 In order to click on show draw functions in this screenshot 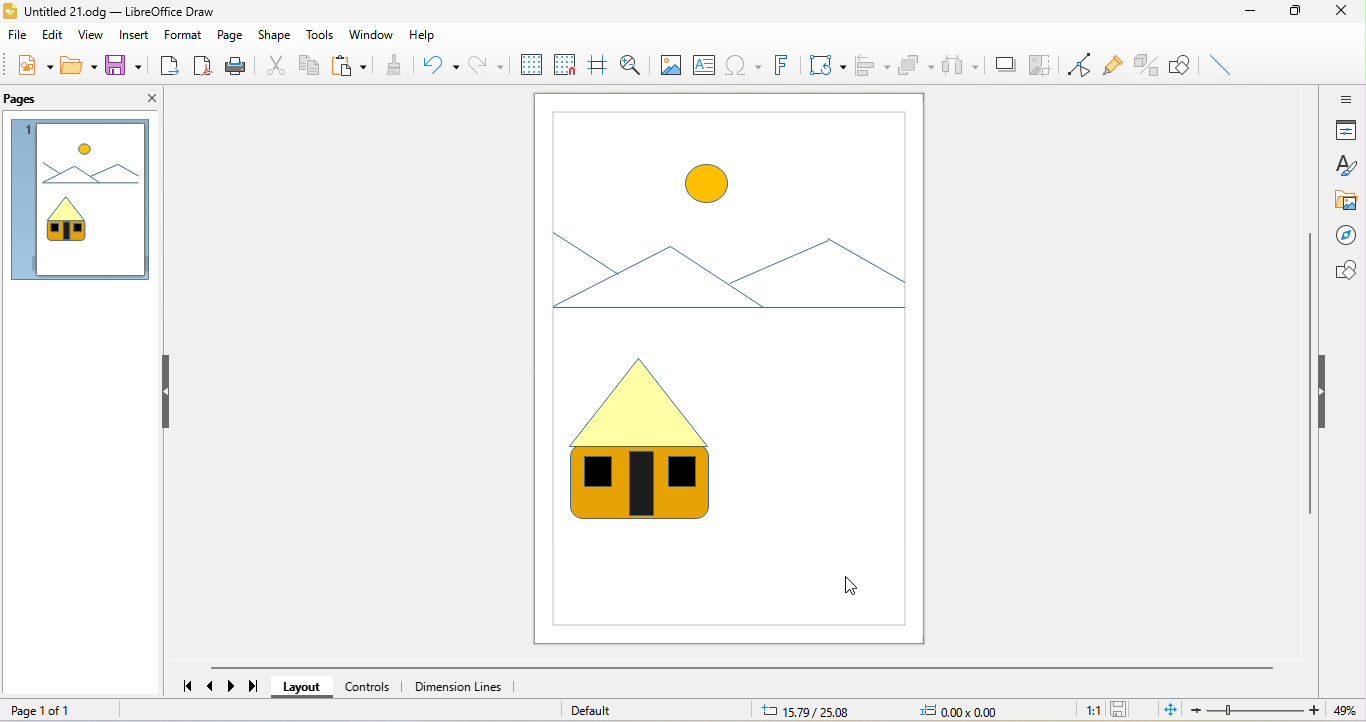, I will do `click(1182, 67)`.